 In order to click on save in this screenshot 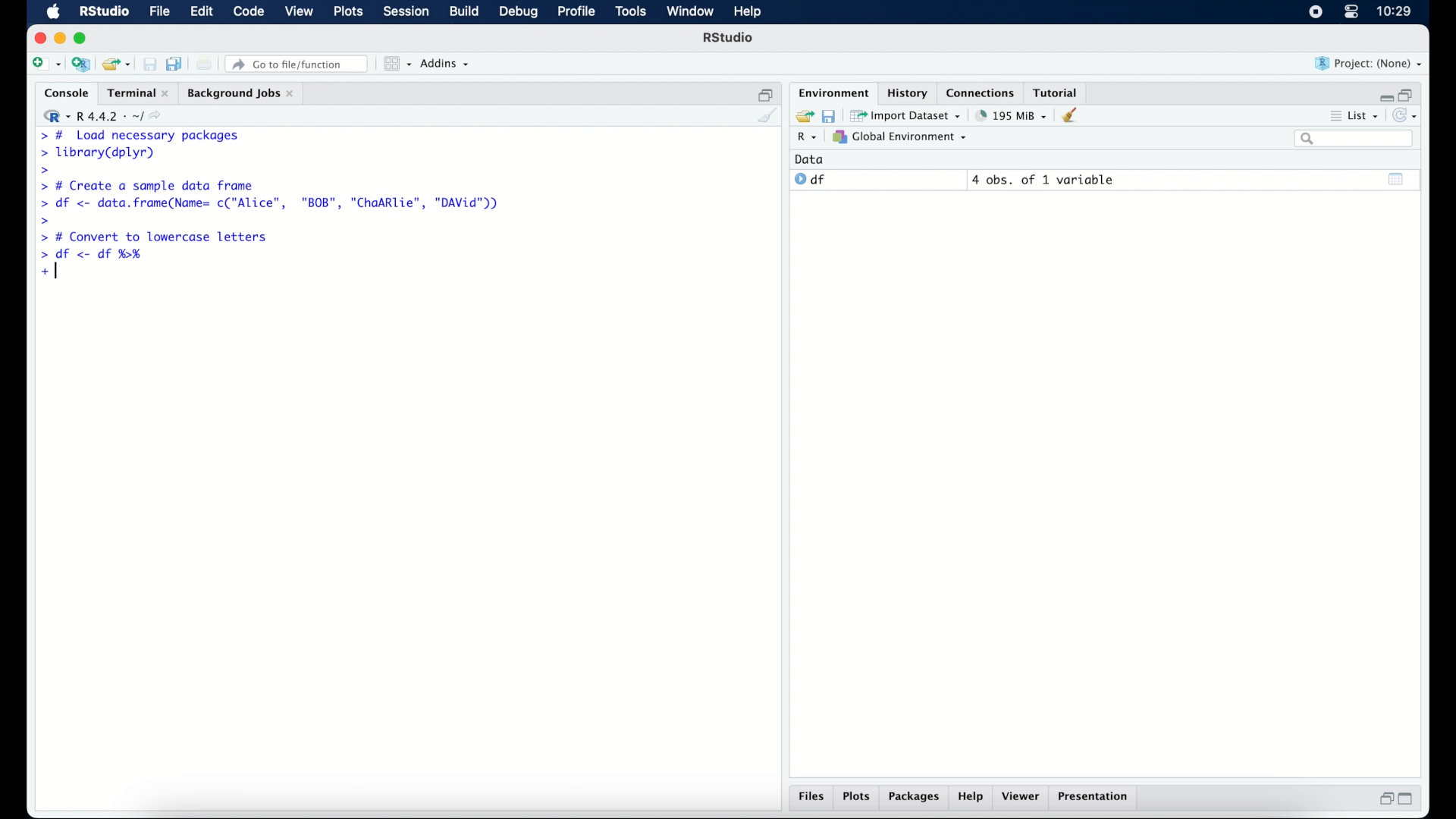, I will do `click(828, 115)`.